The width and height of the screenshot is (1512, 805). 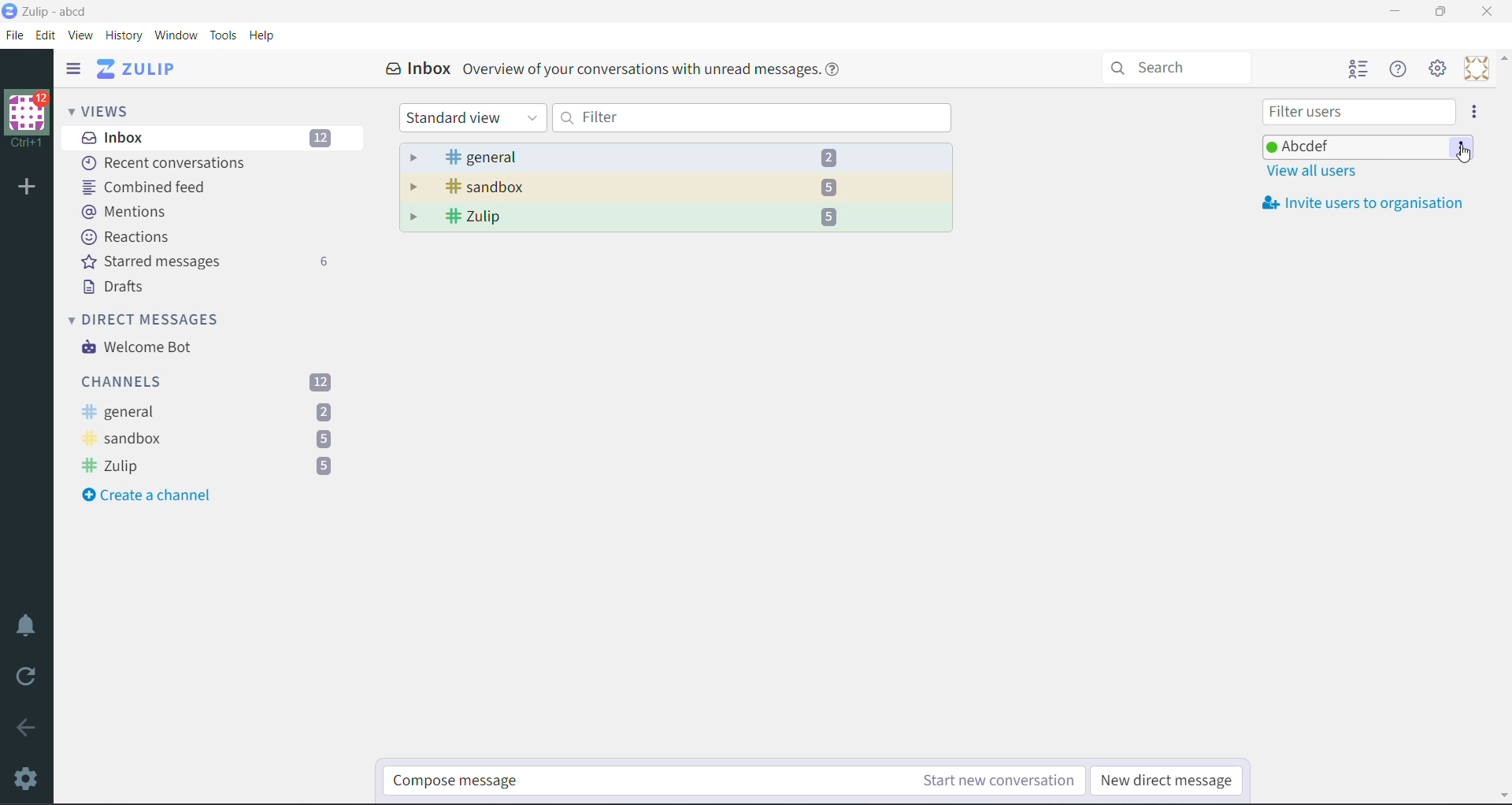 What do you see at coordinates (29, 625) in the screenshot?
I see `Enable Do Not Disturb` at bounding box center [29, 625].